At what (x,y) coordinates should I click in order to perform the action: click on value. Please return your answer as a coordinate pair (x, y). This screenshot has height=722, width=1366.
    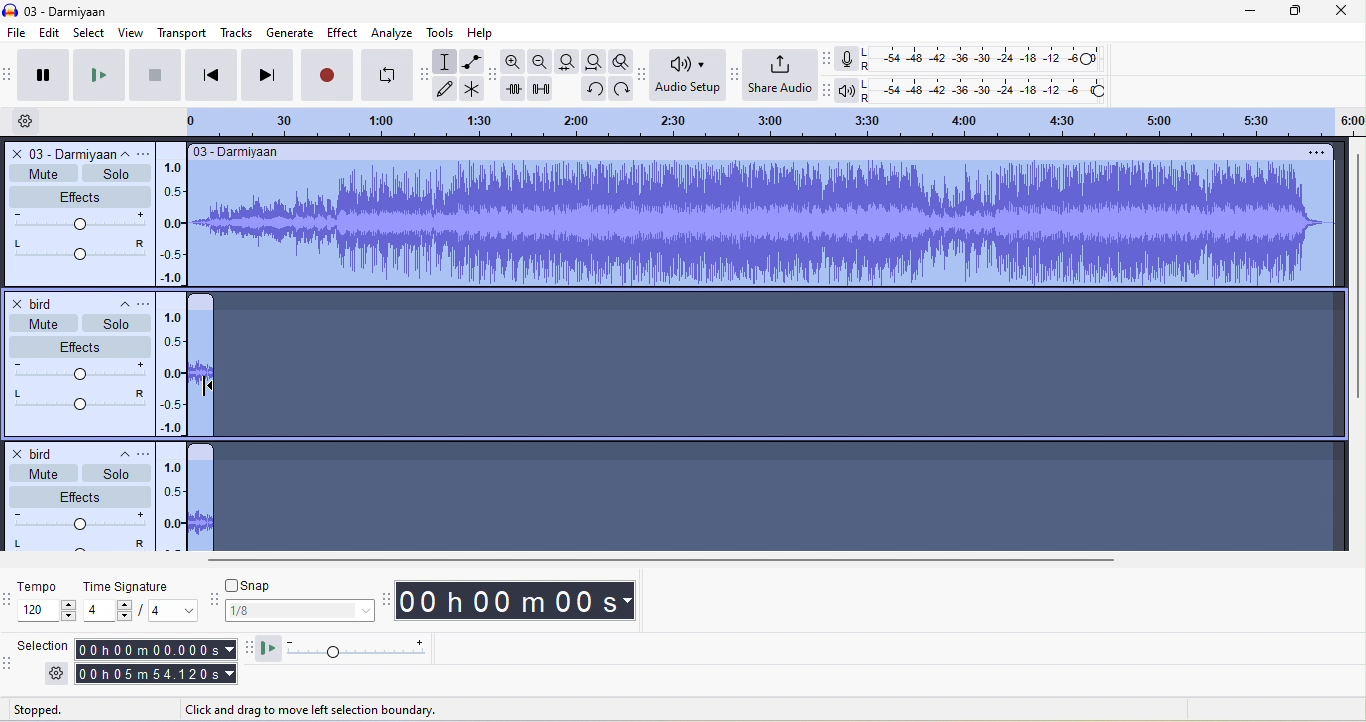
    Looking at the image, I should click on (164, 612).